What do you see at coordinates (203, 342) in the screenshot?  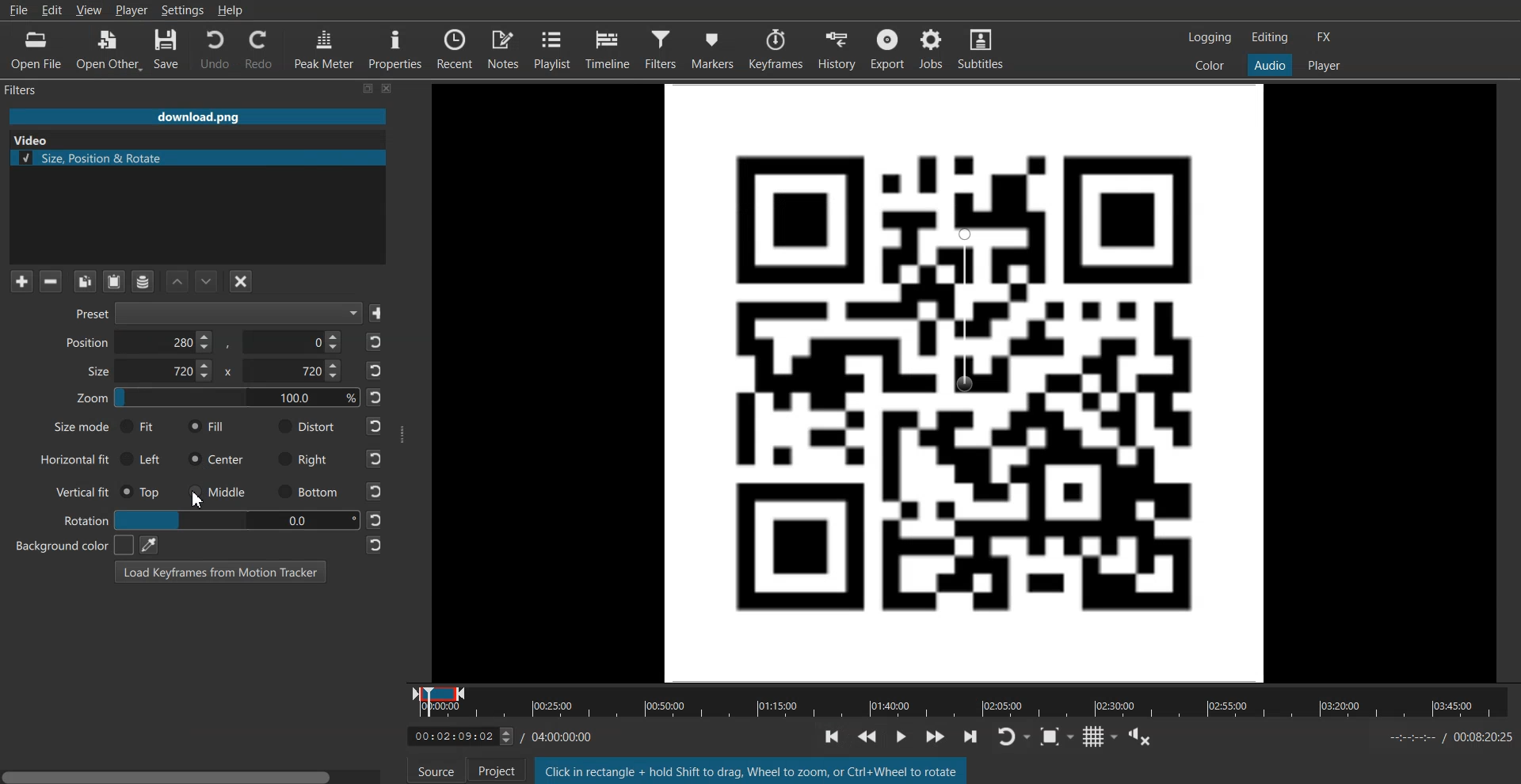 I see `Position X and Y Co-ordinate` at bounding box center [203, 342].